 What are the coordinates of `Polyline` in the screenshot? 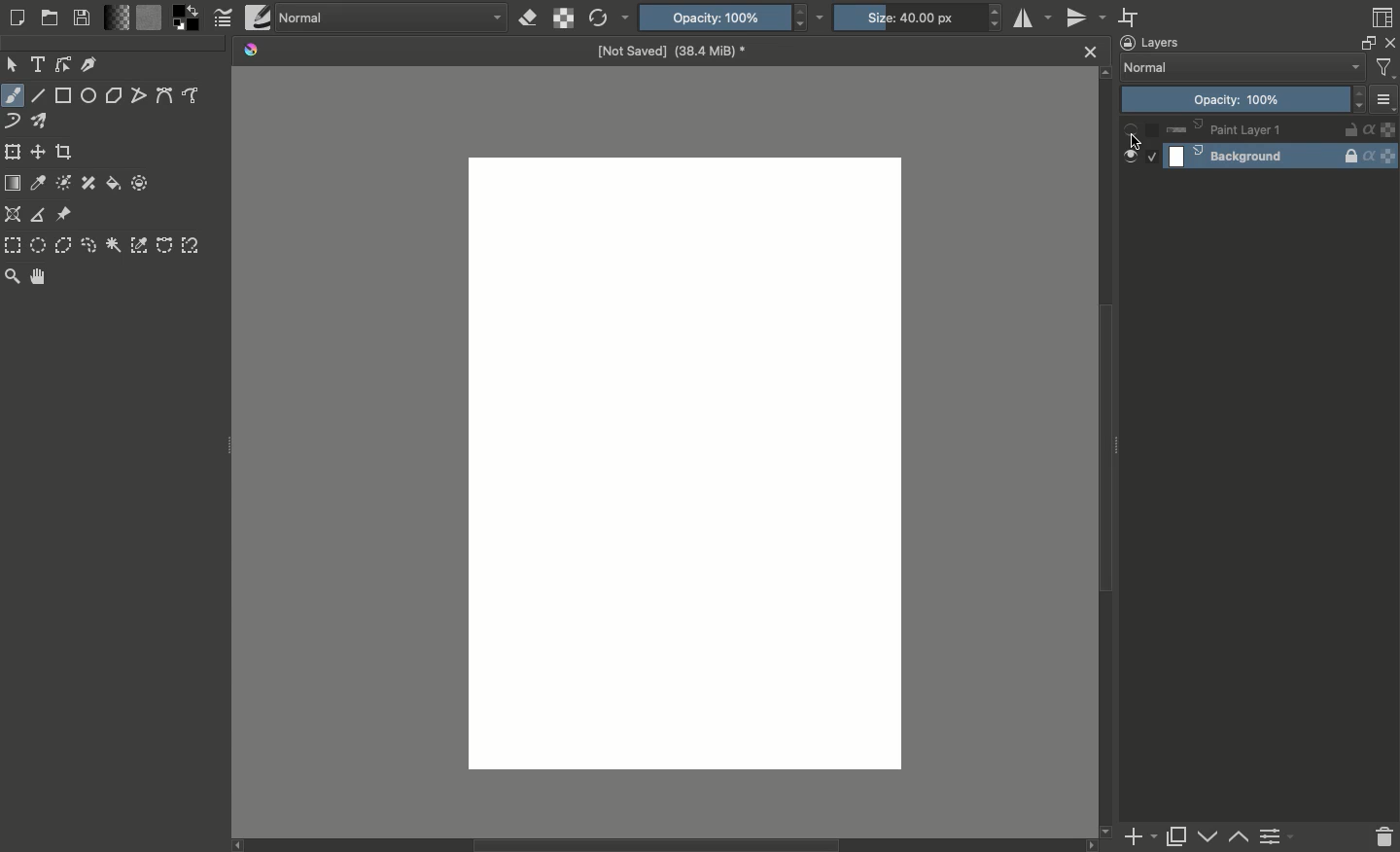 It's located at (141, 95).